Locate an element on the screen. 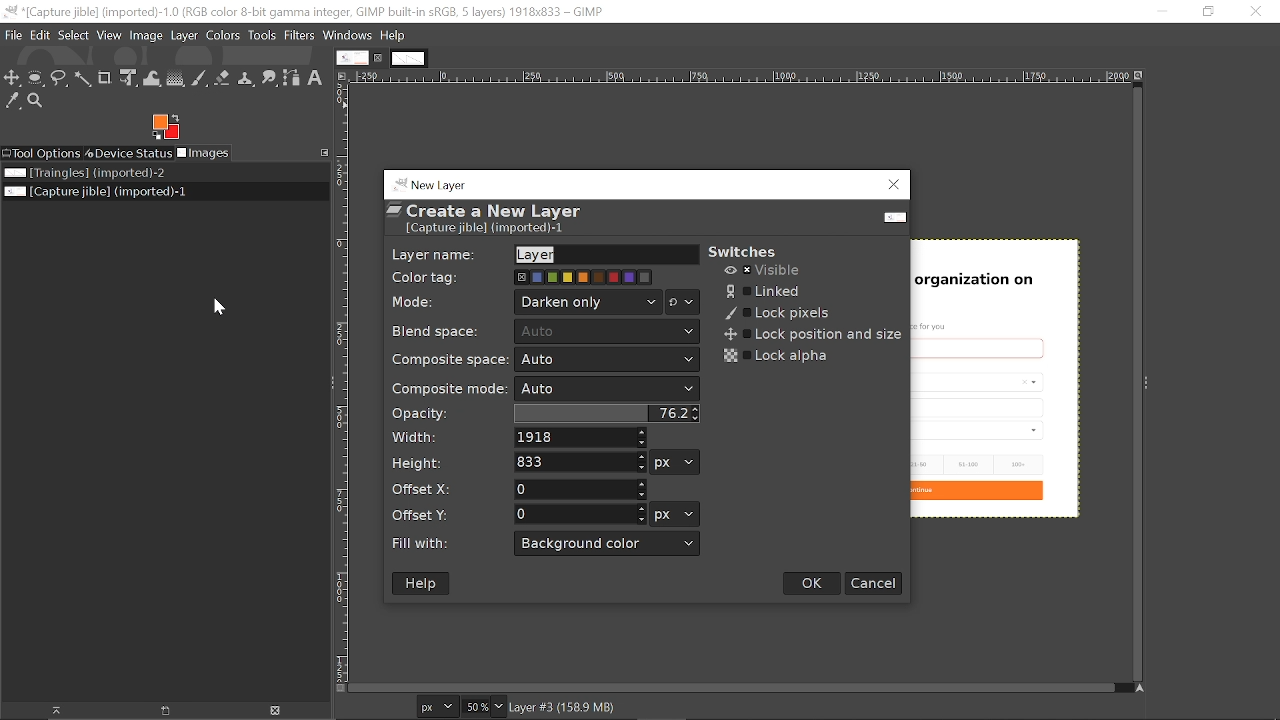 Image resolution: width=1280 pixels, height=720 pixels. Free select tool is located at coordinates (59, 79).